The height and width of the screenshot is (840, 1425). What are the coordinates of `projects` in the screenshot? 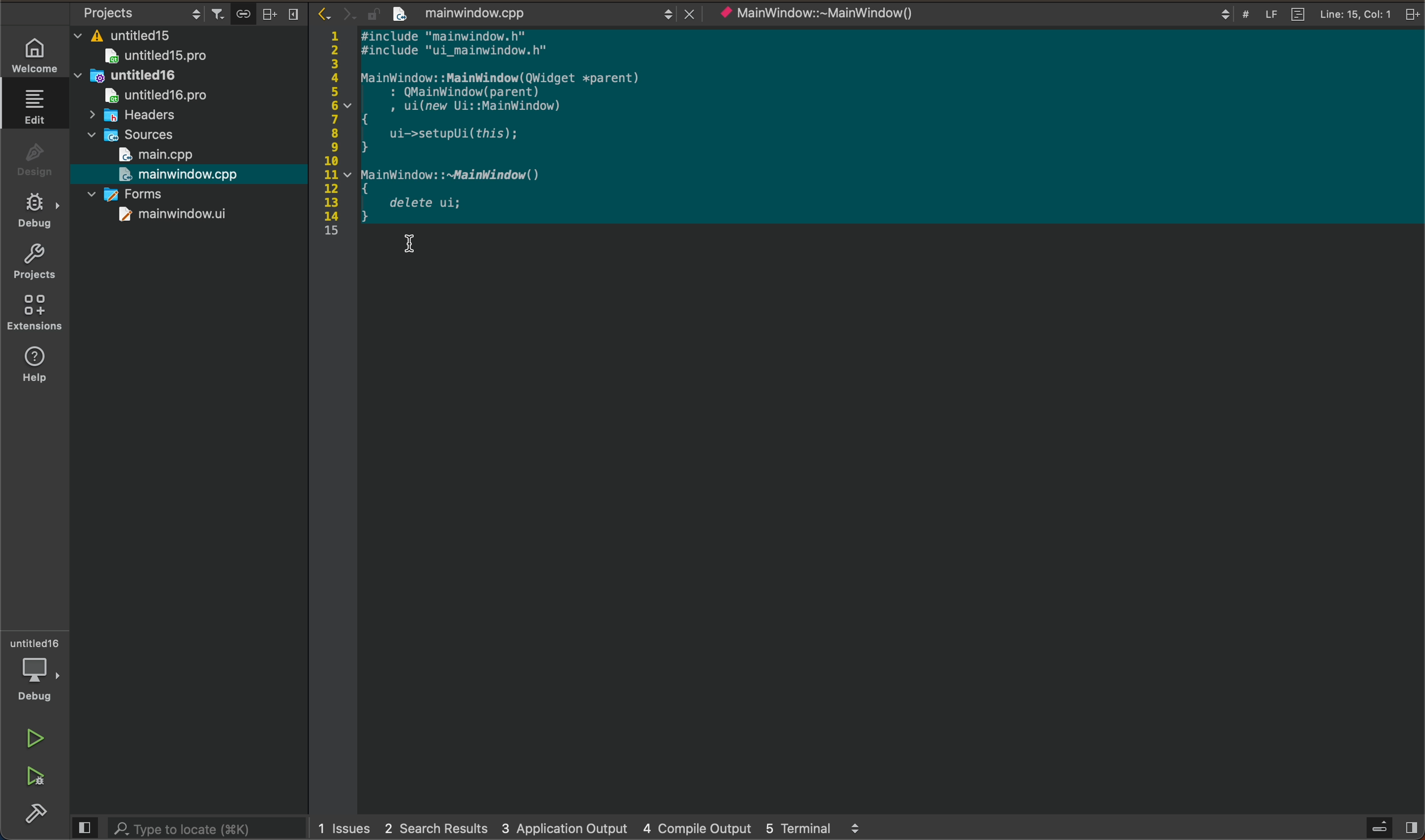 It's located at (34, 263).